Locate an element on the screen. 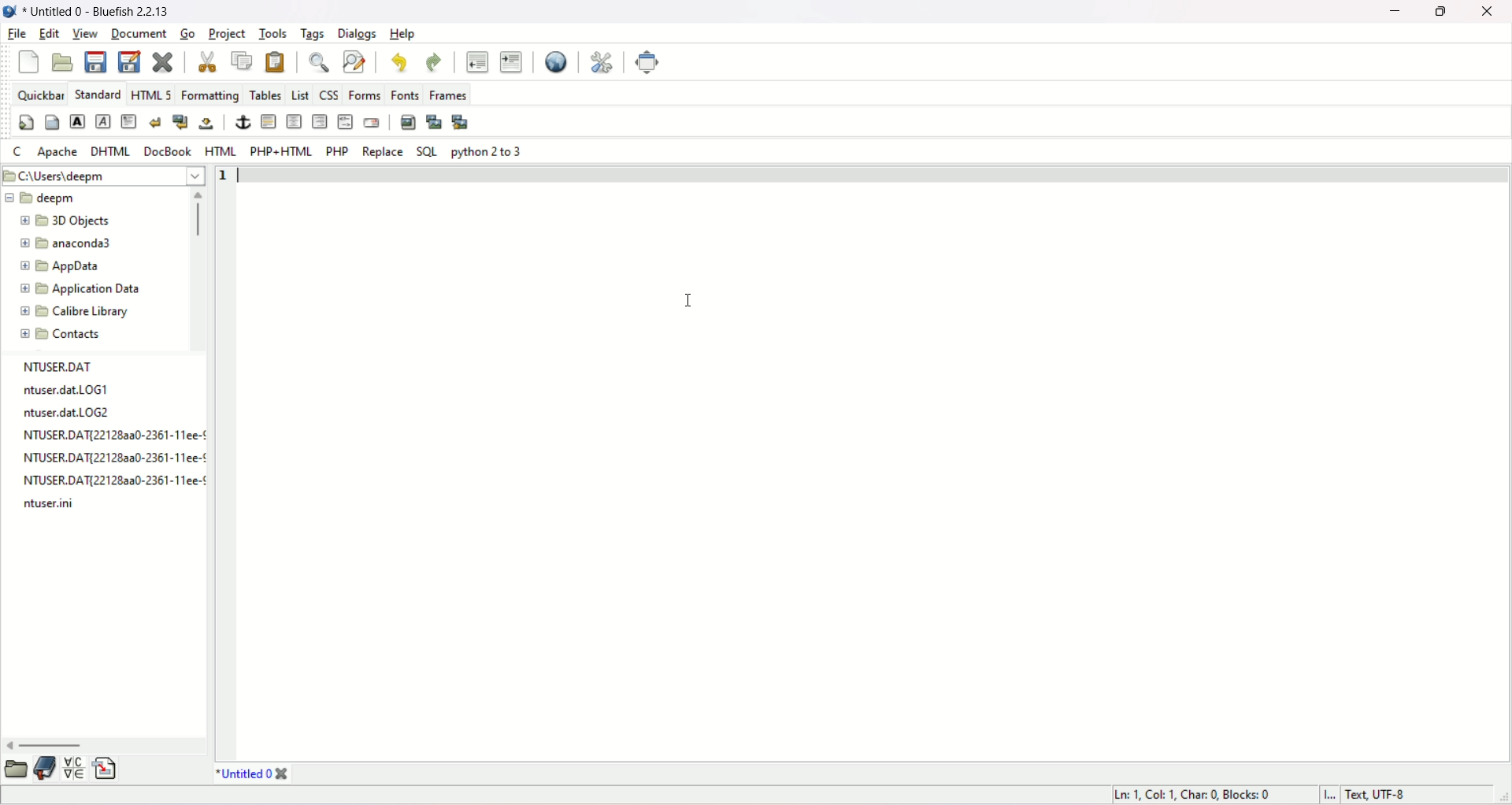 This screenshot has height=805, width=1512. PHP is located at coordinates (335, 152).